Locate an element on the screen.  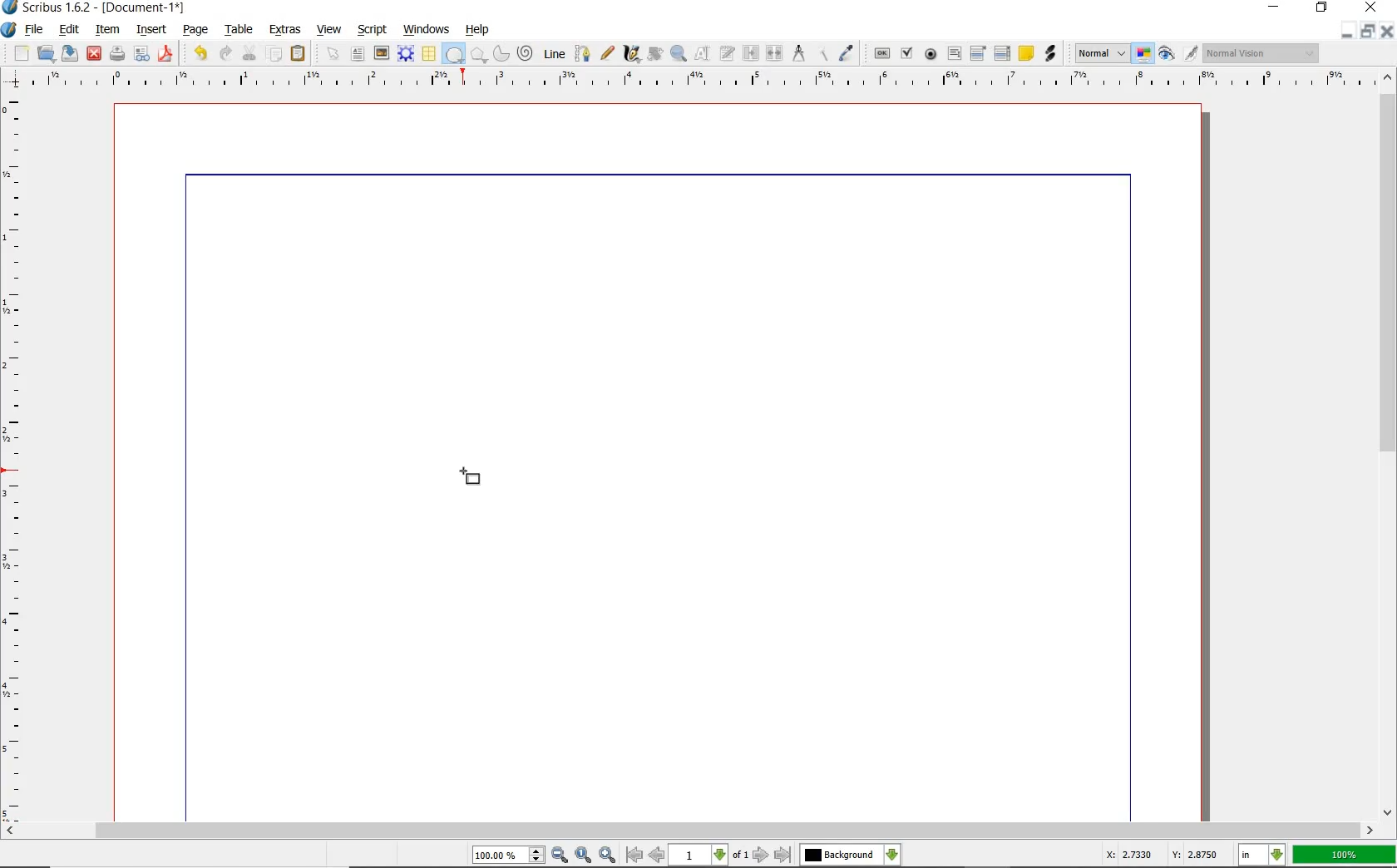
PASTE is located at coordinates (298, 55).